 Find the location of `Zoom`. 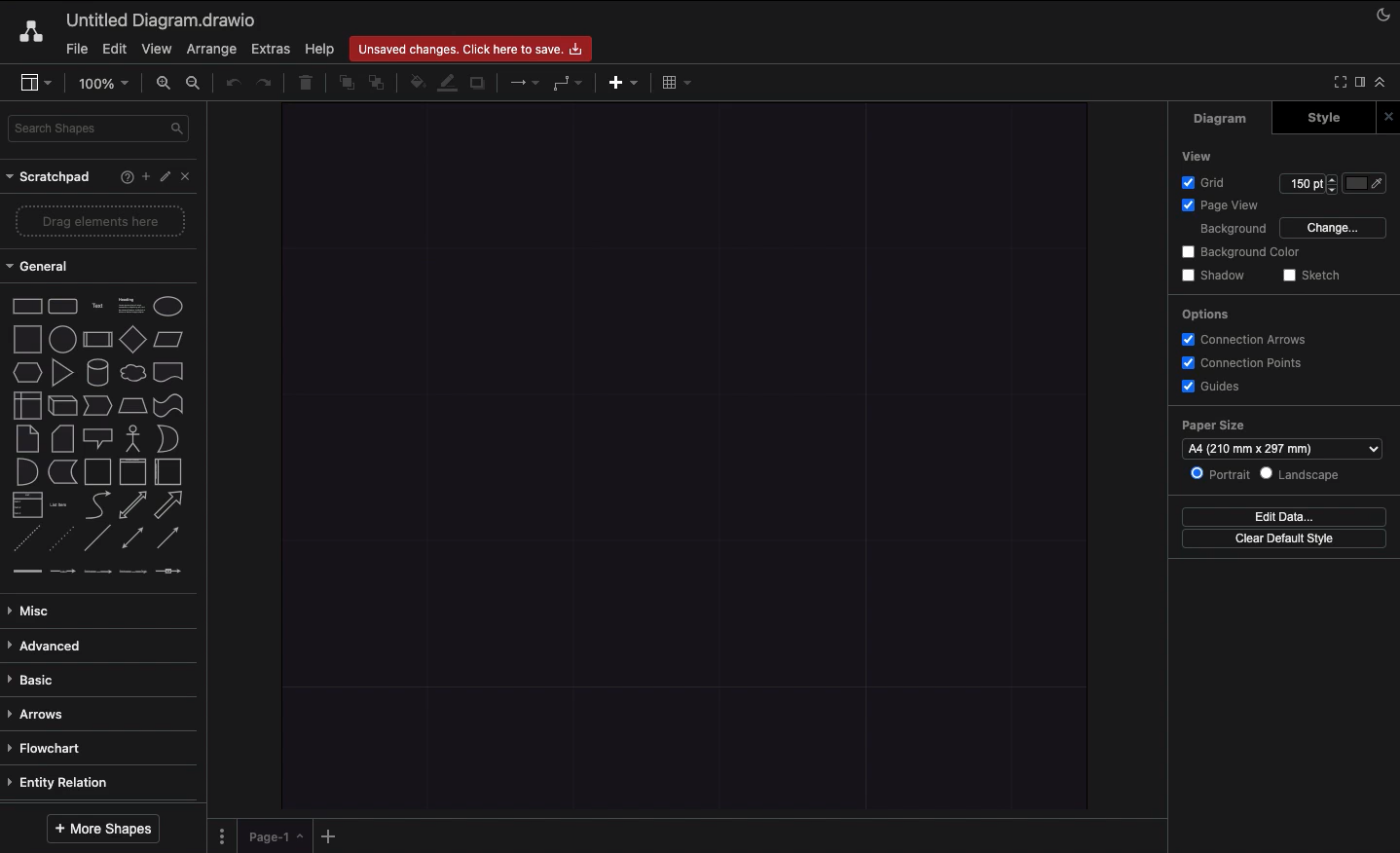

Zoom is located at coordinates (102, 83).